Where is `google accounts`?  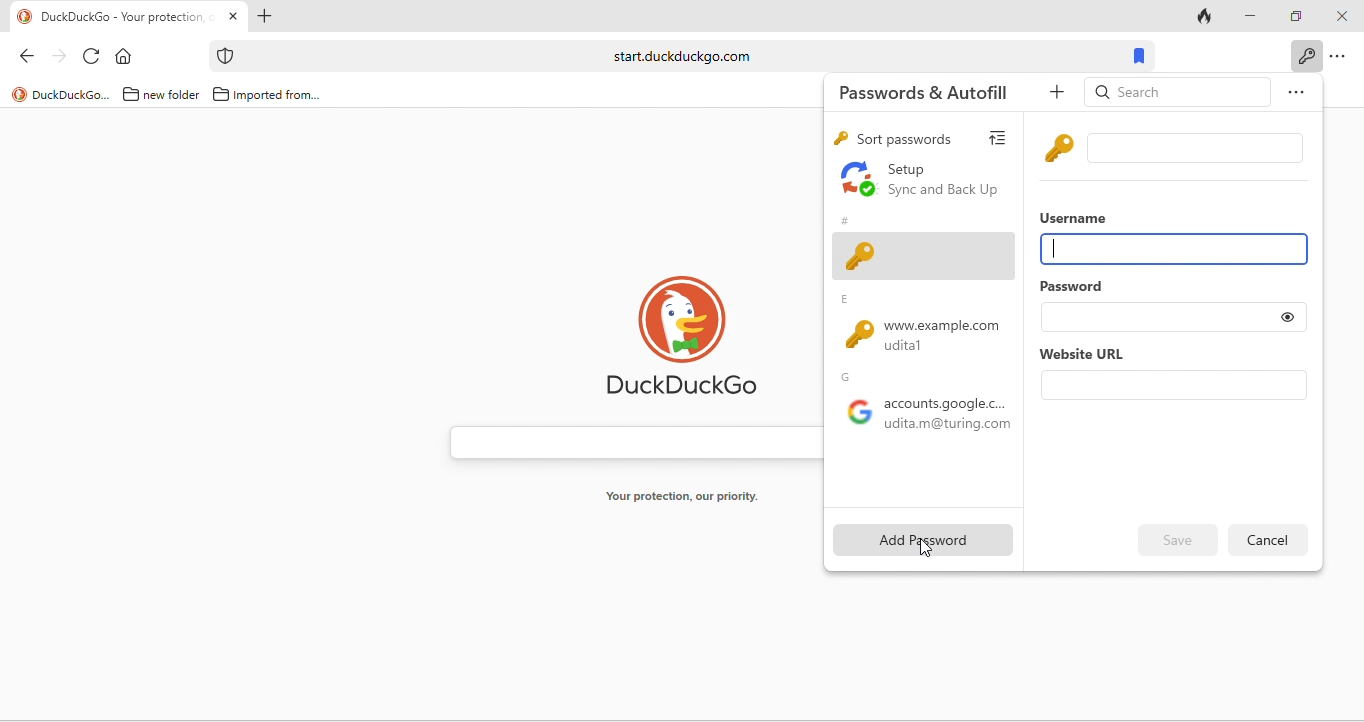 google accounts is located at coordinates (923, 418).